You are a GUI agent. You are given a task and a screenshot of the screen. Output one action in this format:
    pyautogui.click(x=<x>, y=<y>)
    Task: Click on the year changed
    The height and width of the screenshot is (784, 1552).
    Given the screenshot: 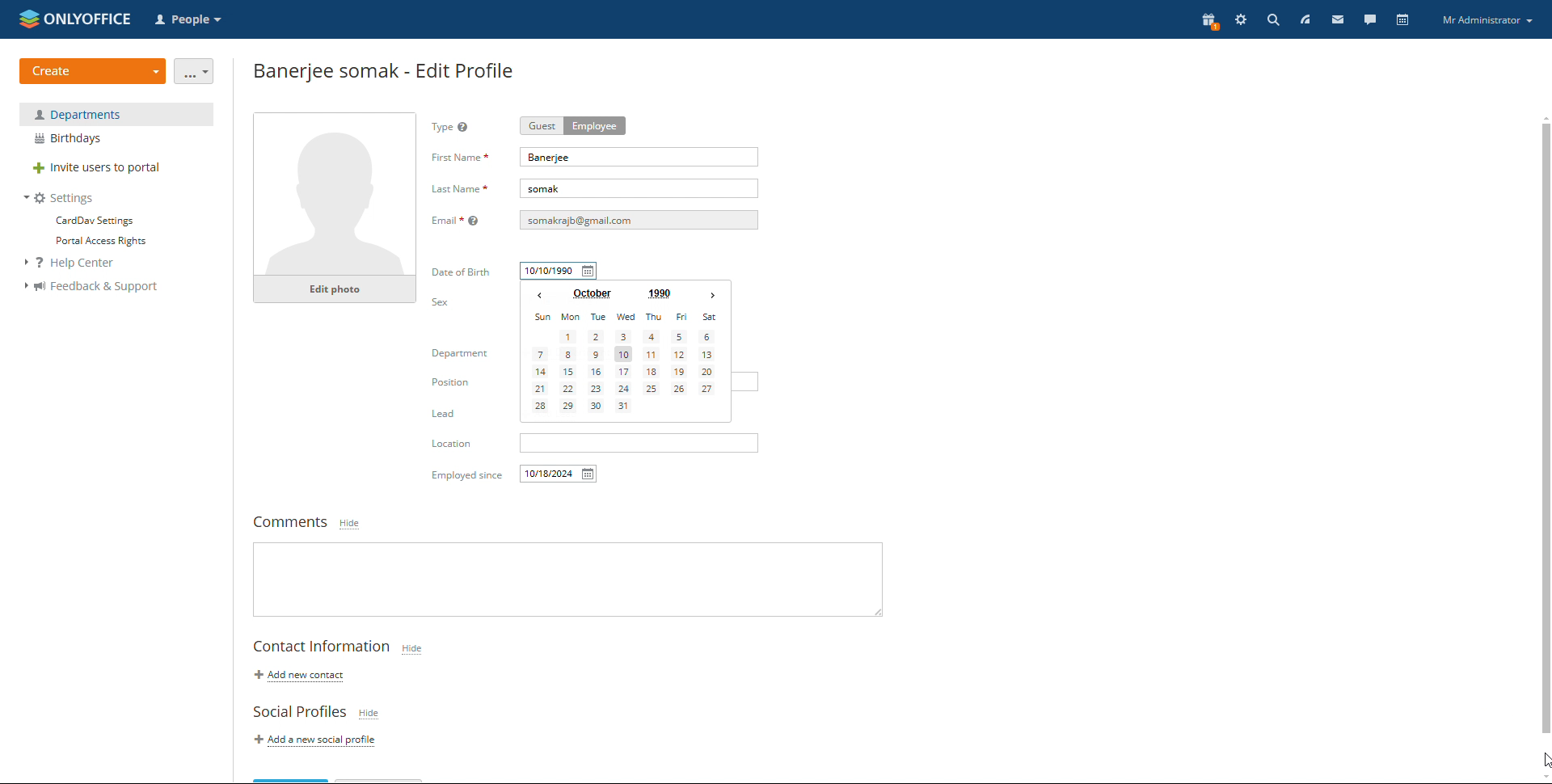 What is the action you would take?
    pyautogui.click(x=660, y=293)
    